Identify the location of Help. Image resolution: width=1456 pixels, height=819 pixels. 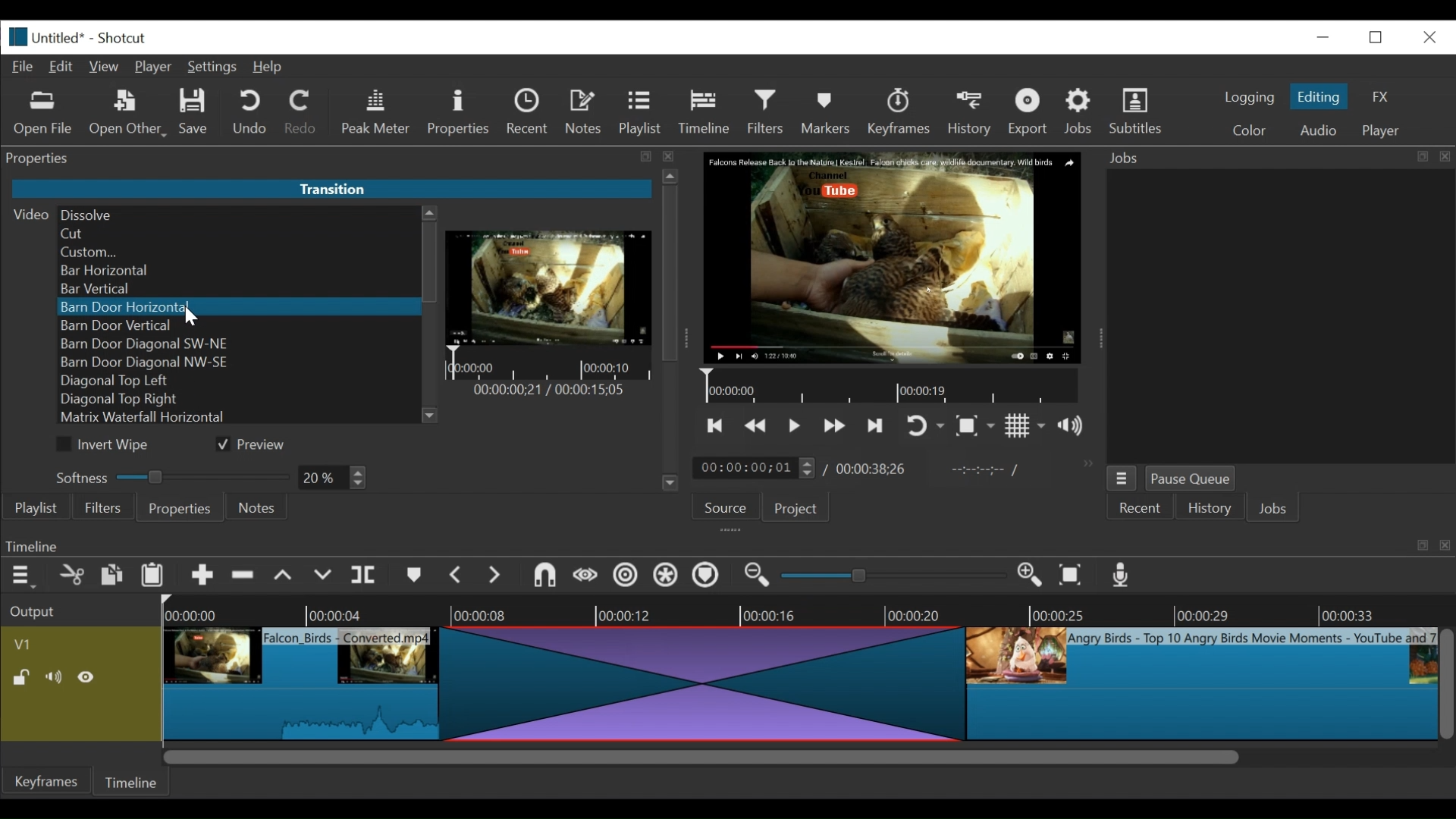
(268, 67).